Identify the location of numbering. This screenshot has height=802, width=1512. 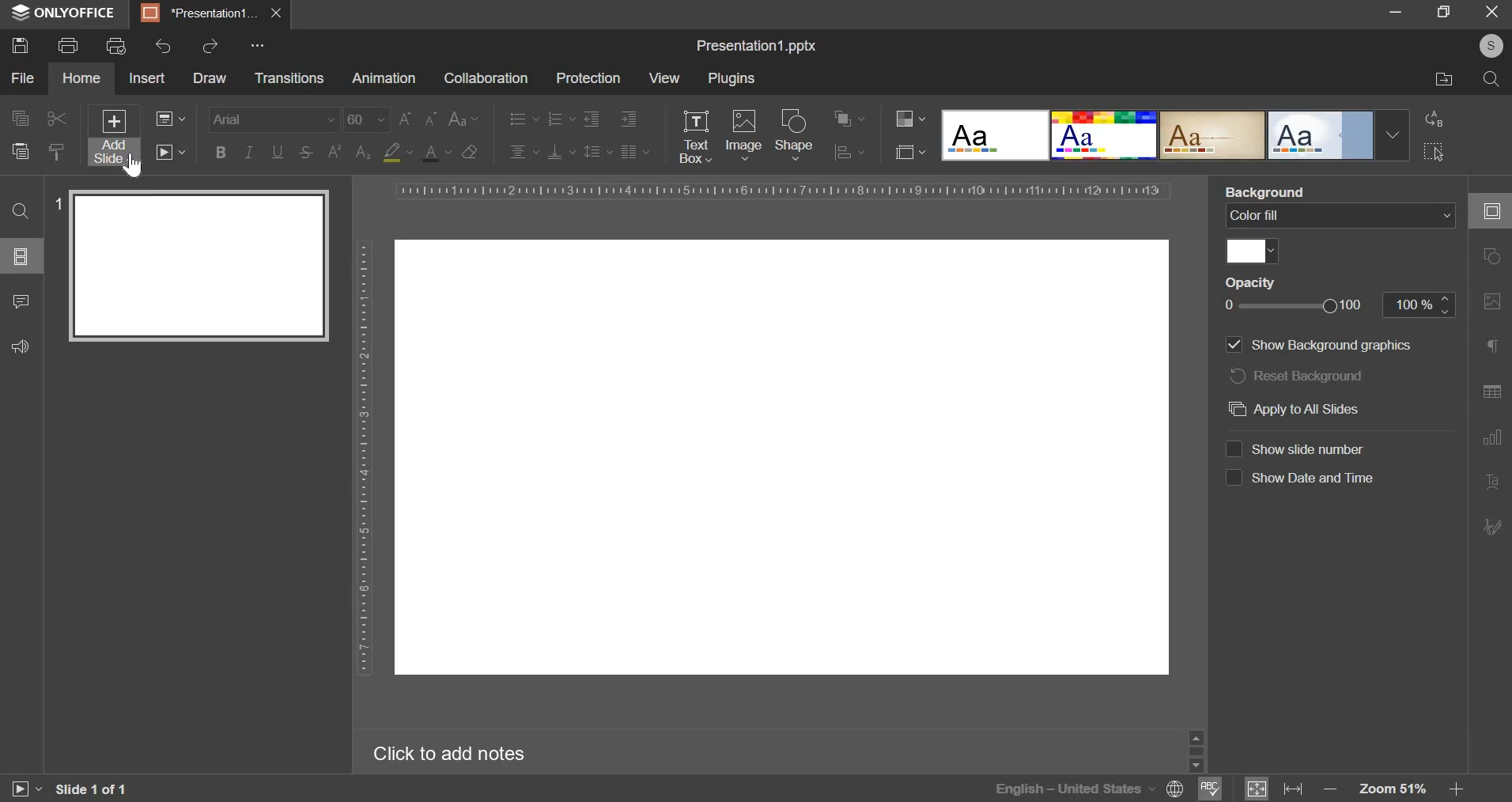
(560, 118).